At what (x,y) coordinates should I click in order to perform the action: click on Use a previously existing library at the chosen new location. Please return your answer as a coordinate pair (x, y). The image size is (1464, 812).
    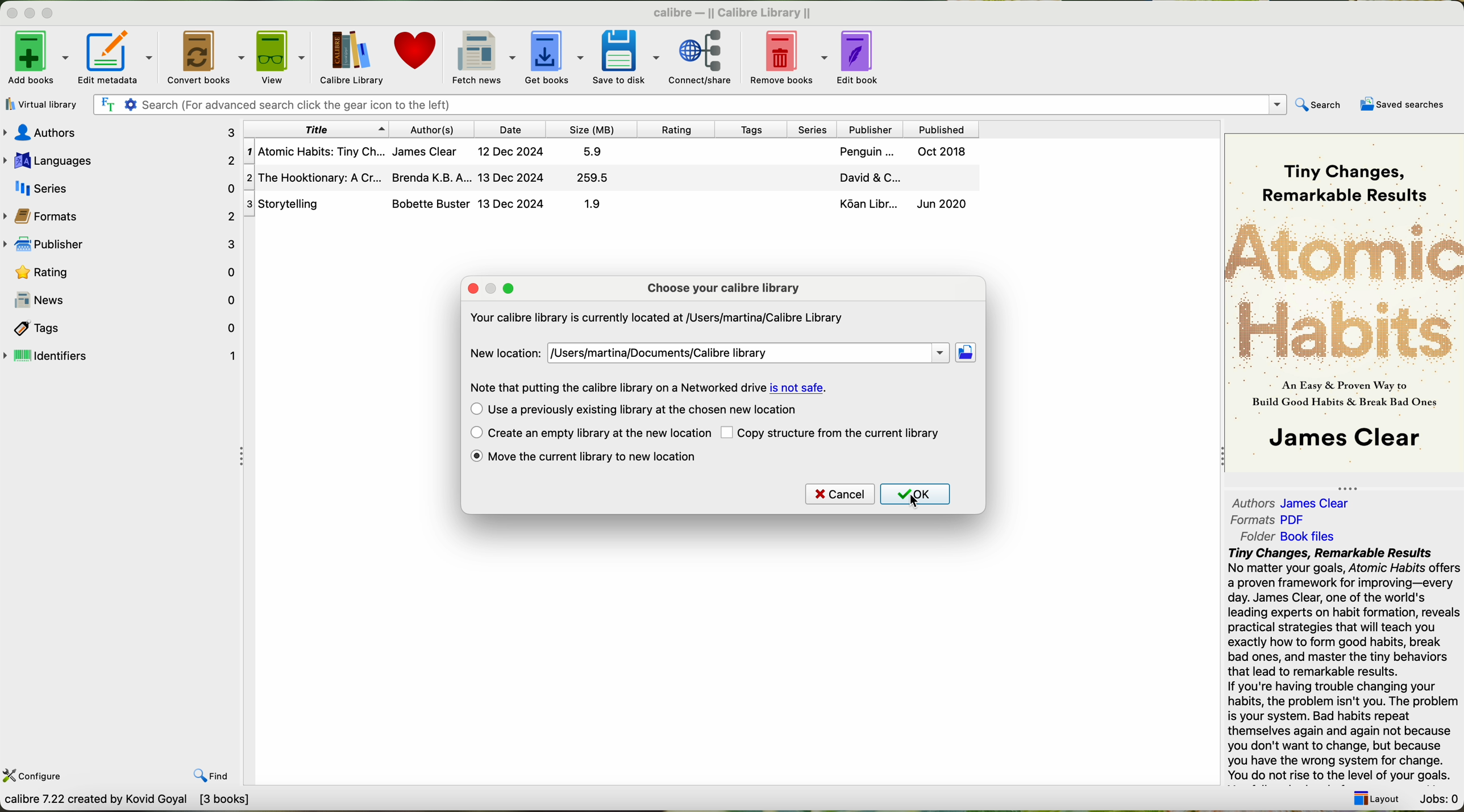
    Looking at the image, I should click on (646, 410).